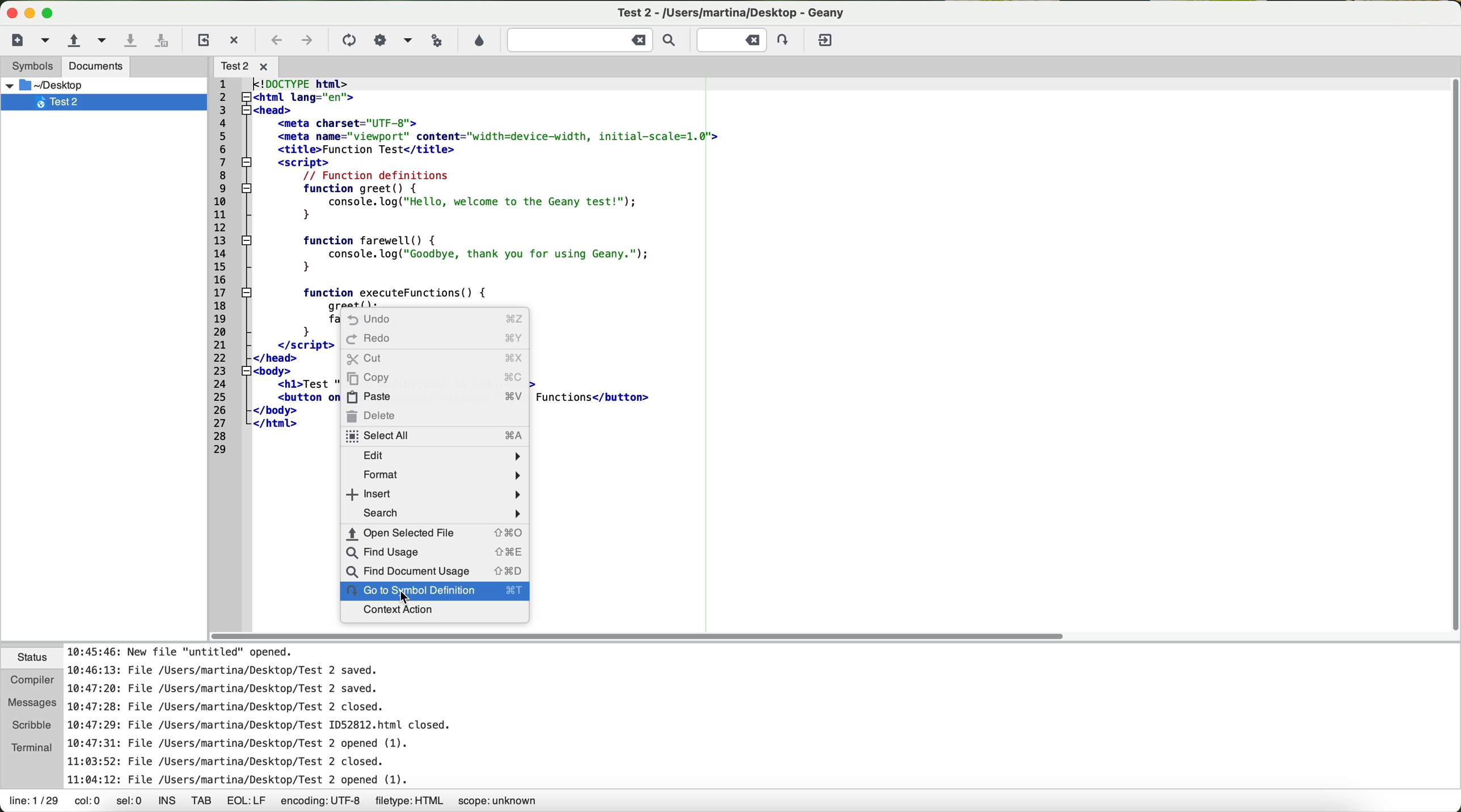 The image size is (1461, 812). What do you see at coordinates (235, 40) in the screenshot?
I see `quit the current file` at bounding box center [235, 40].